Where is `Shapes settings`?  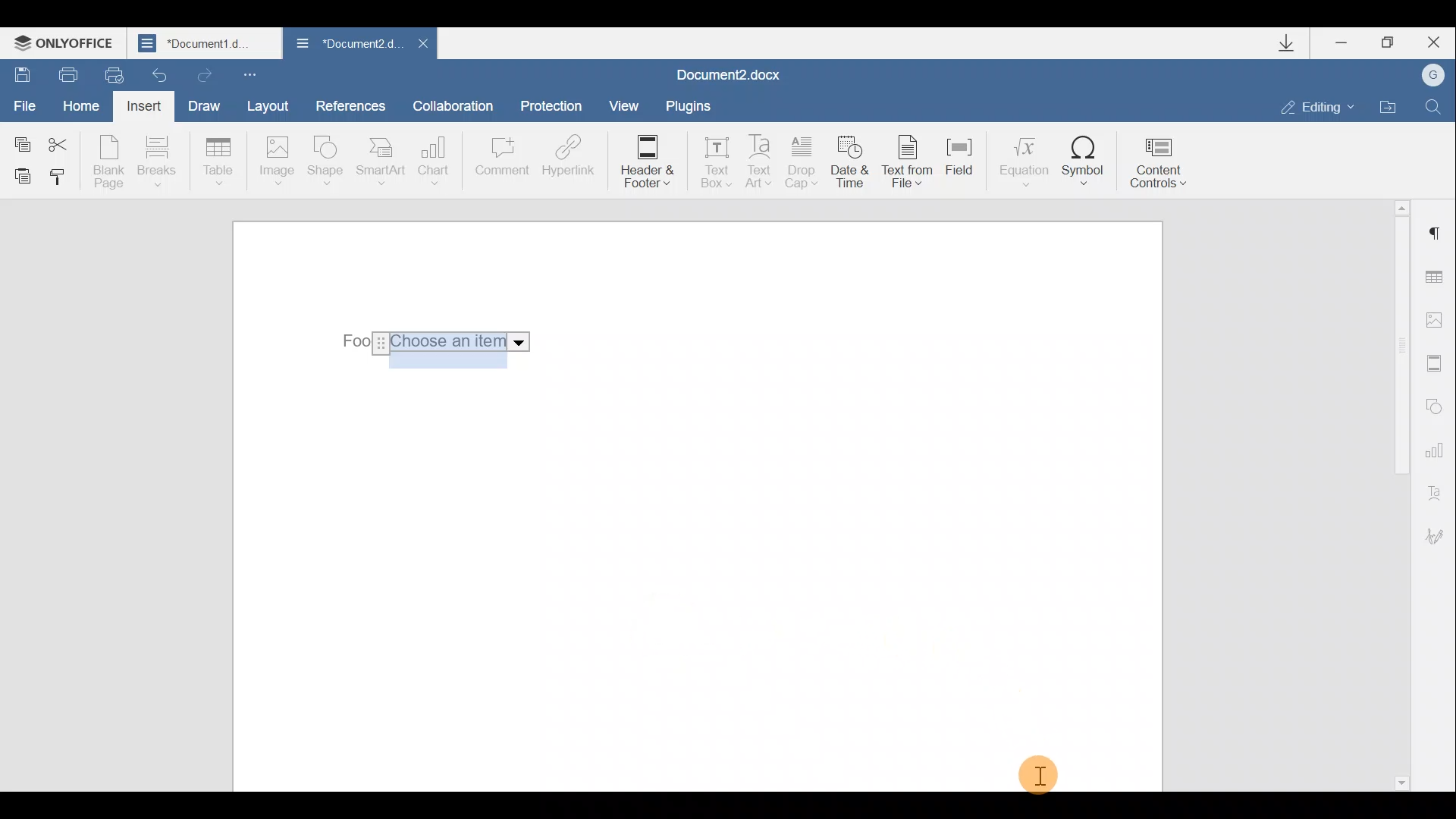
Shapes settings is located at coordinates (1435, 404).